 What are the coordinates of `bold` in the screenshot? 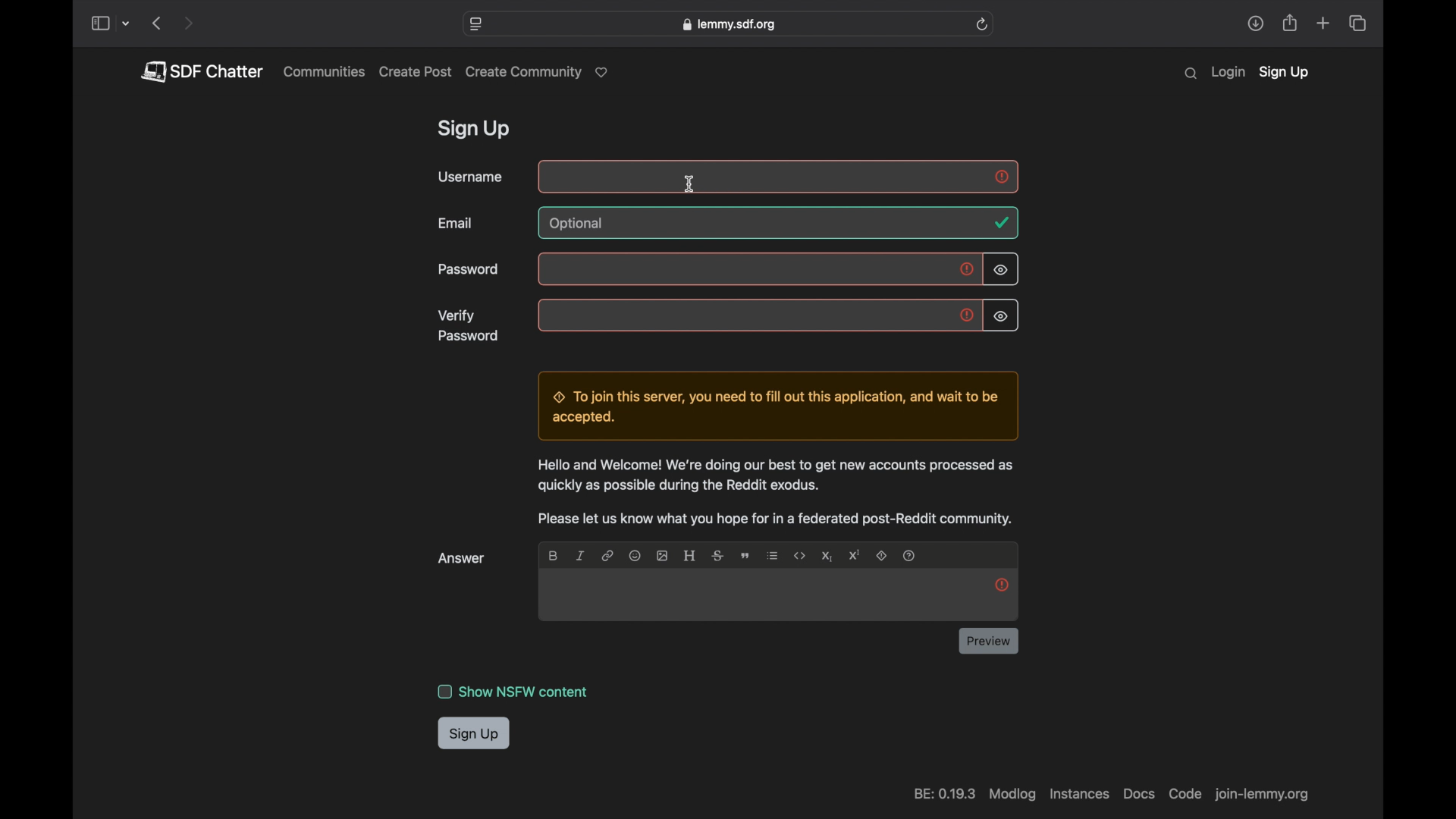 It's located at (554, 555).